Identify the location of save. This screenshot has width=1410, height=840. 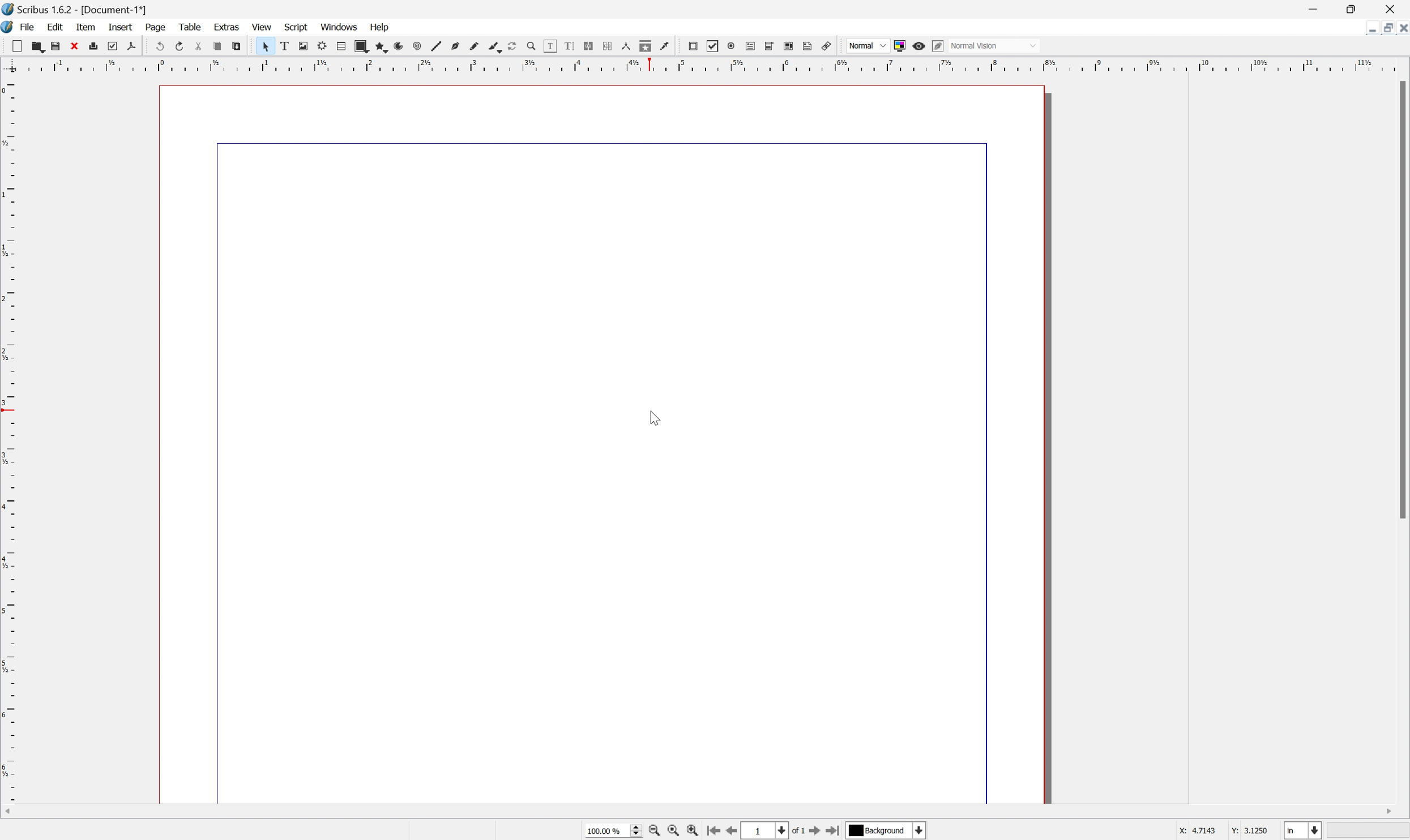
(55, 44).